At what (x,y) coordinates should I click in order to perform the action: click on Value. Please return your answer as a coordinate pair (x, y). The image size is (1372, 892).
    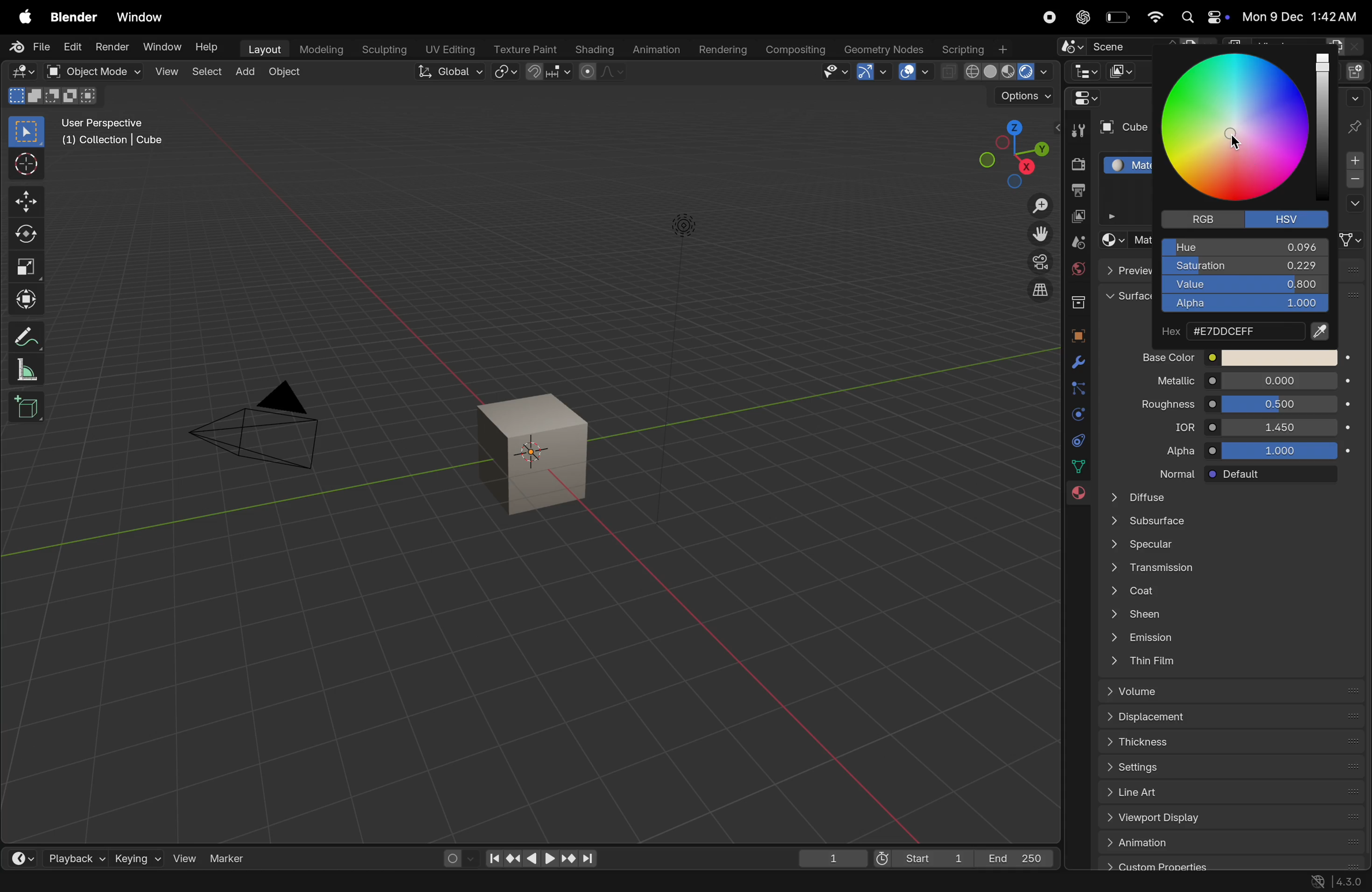
    Looking at the image, I should click on (1245, 285).